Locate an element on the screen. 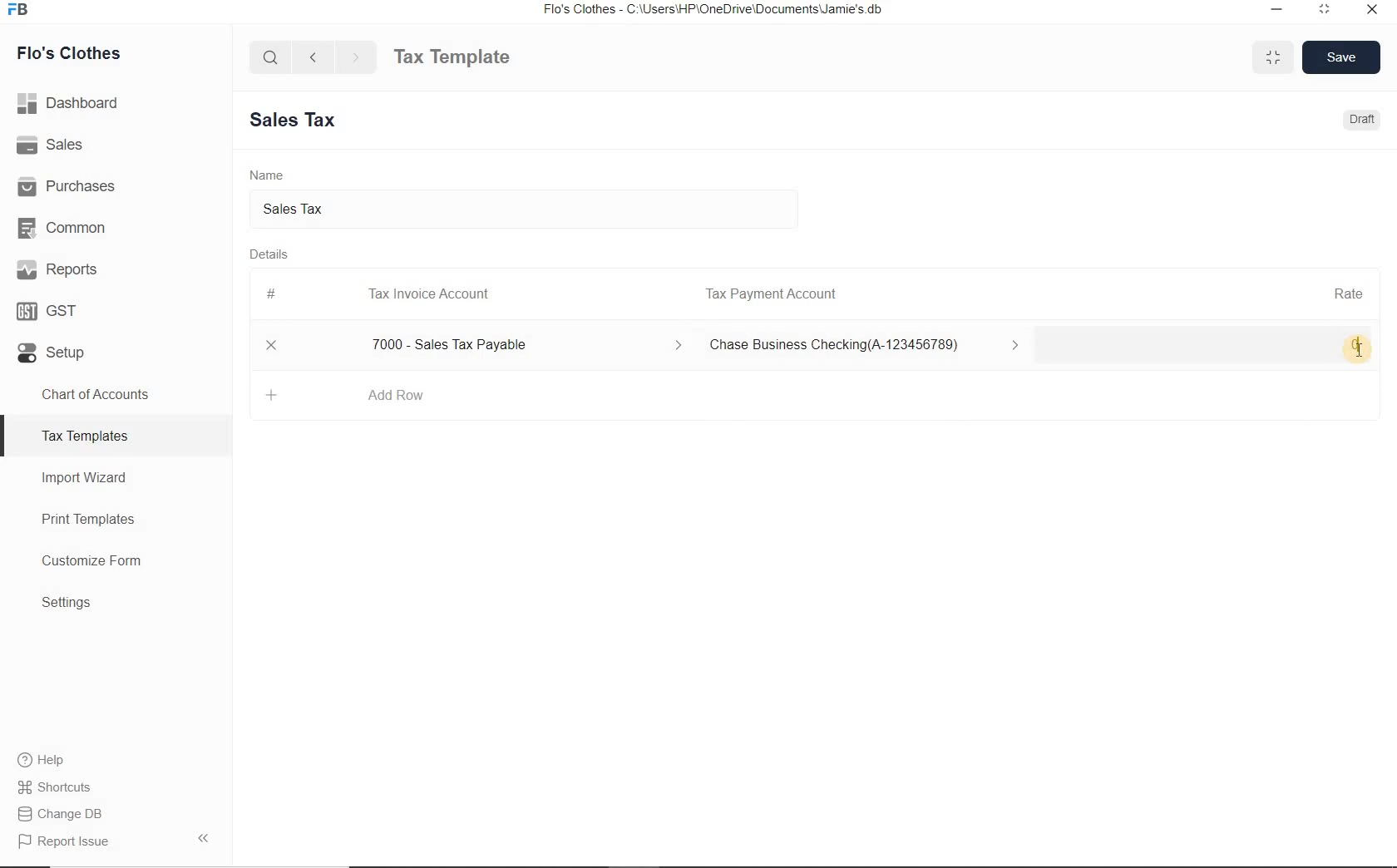 This screenshot has width=1397, height=868. Rate is located at coordinates (1348, 292).